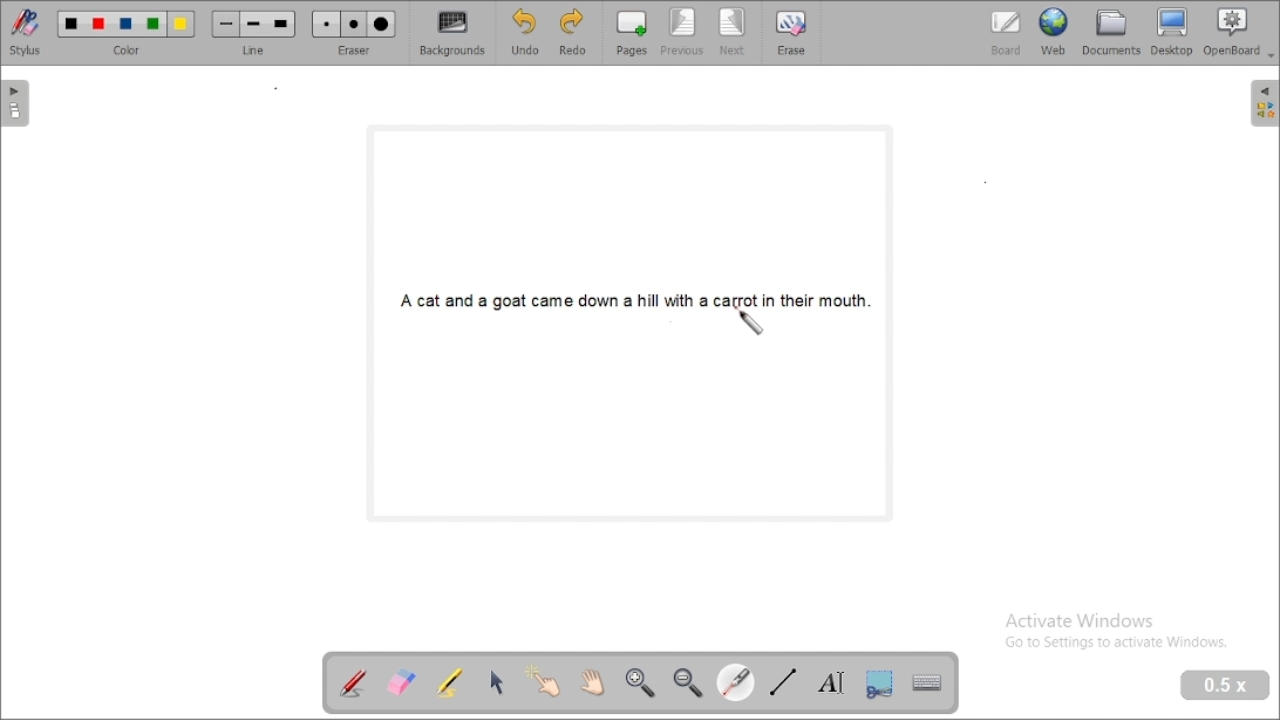 The image size is (1280, 720). Describe the element at coordinates (1054, 32) in the screenshot. I see `web` at that location.